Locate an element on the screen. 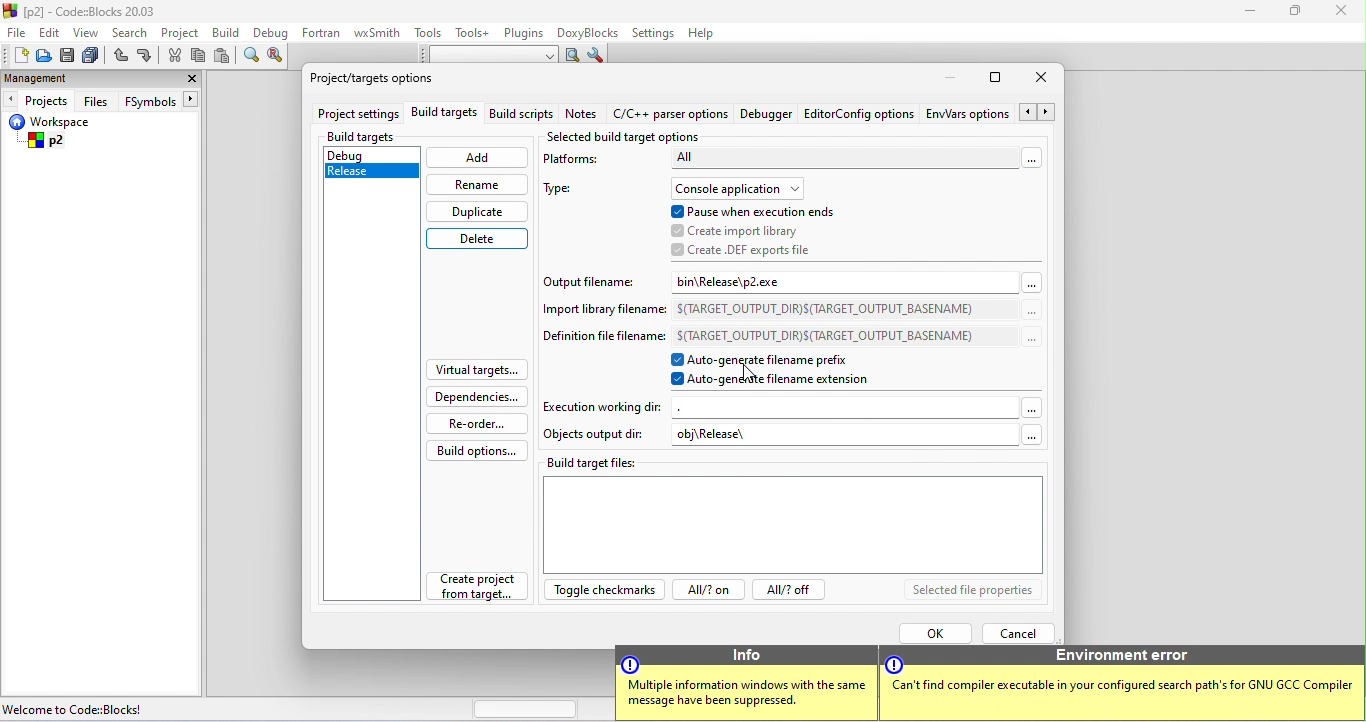 This screenshot has height=722, width=1366. wxsmith is located at coordinates (379, 32).